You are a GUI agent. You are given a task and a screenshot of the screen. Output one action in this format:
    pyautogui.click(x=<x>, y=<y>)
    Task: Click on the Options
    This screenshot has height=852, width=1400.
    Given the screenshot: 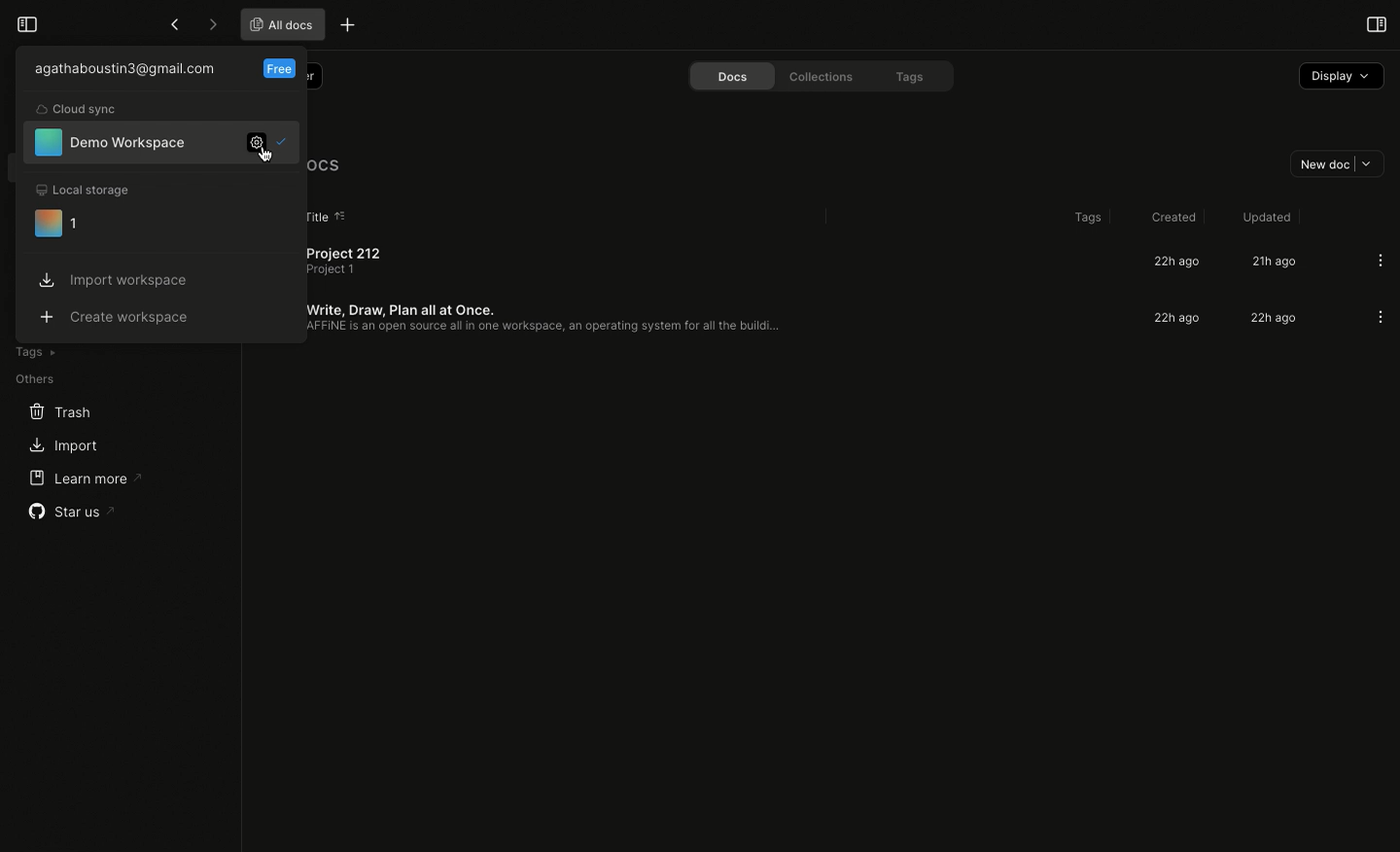 What is the action you would take?
    pyautogui.click(x=1381, y=260)
    